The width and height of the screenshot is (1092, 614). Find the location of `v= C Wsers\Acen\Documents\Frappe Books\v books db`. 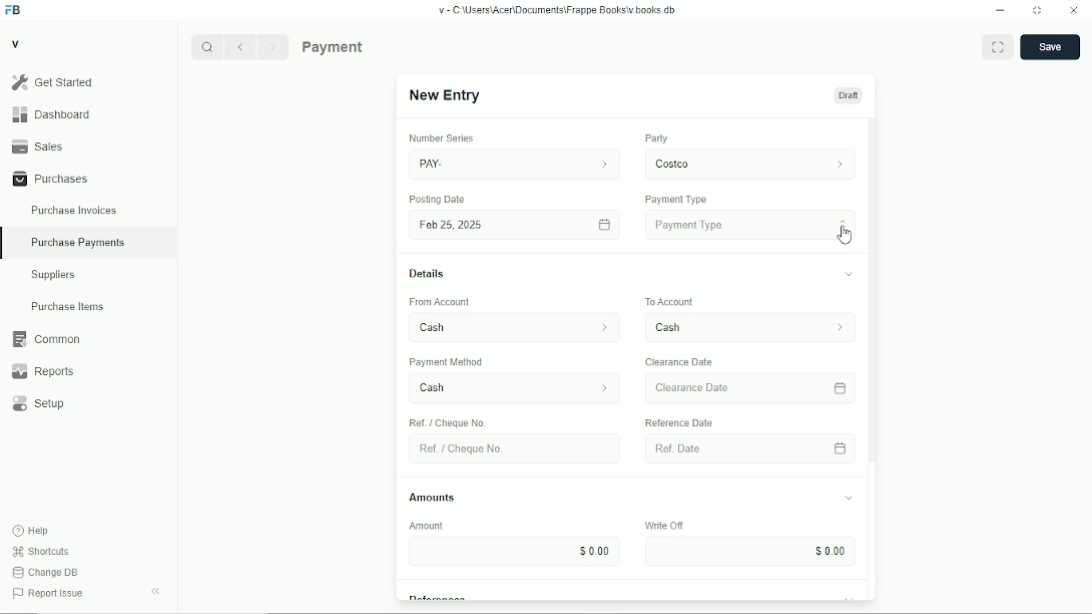

v= C Wsers\Acen\Documents\Frappe Books\v books db is located at coordinates (558, 10).